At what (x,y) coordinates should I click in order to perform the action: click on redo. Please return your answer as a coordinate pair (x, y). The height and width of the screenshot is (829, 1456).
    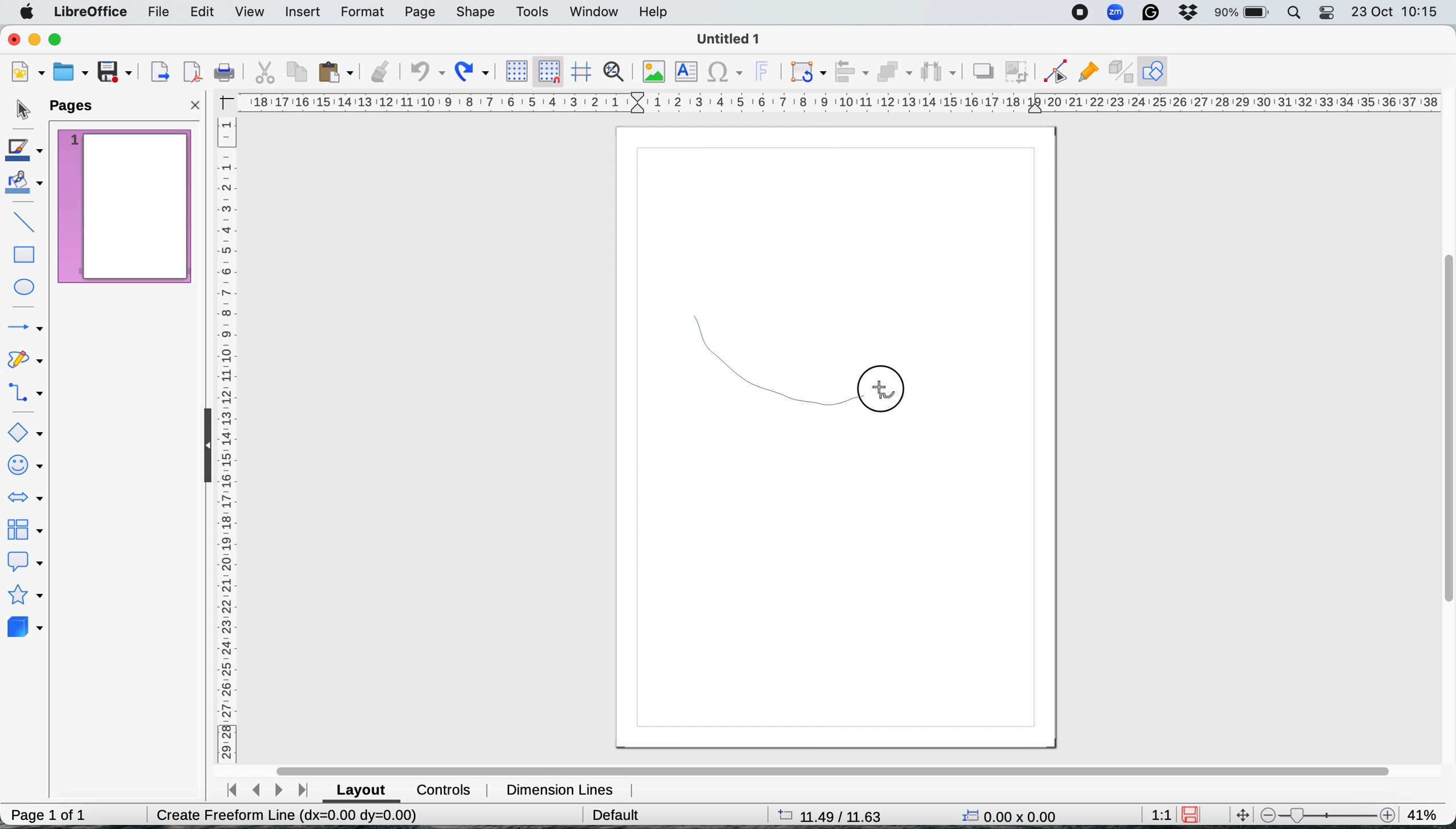
    Looking at the image, I should click on (473, 73).